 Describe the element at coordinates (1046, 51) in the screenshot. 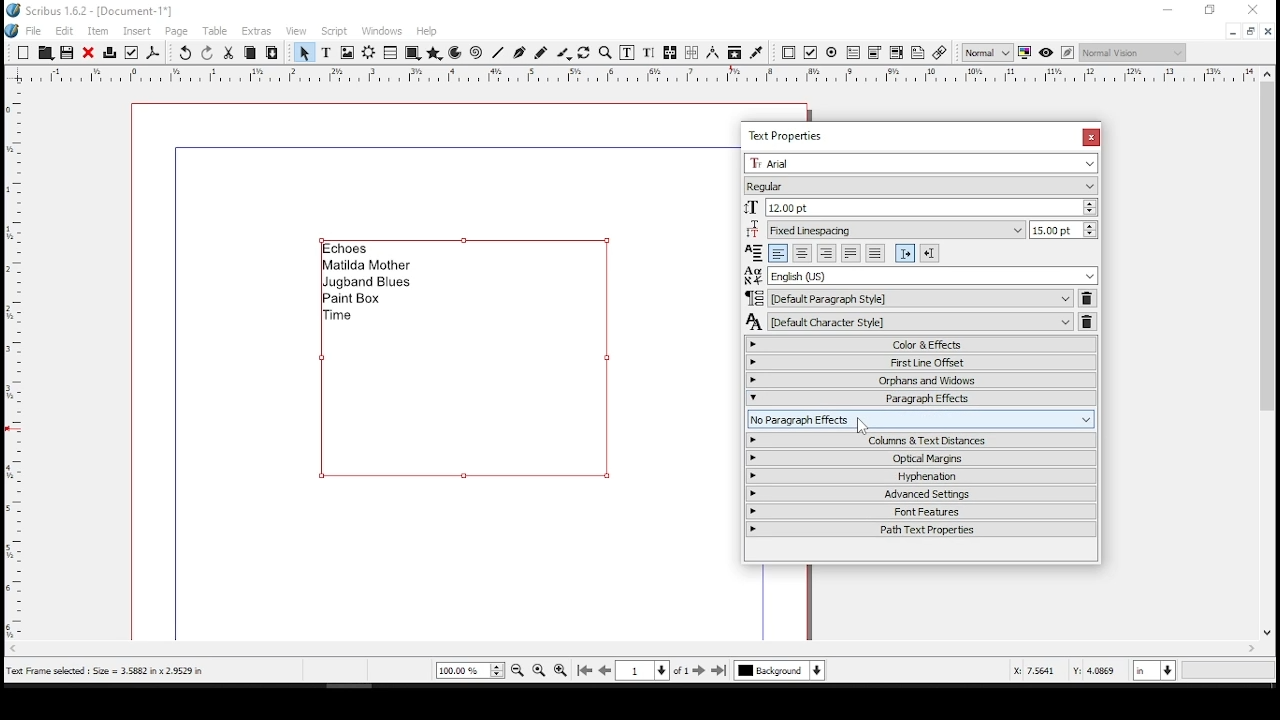

I see `preview mode` at that location.